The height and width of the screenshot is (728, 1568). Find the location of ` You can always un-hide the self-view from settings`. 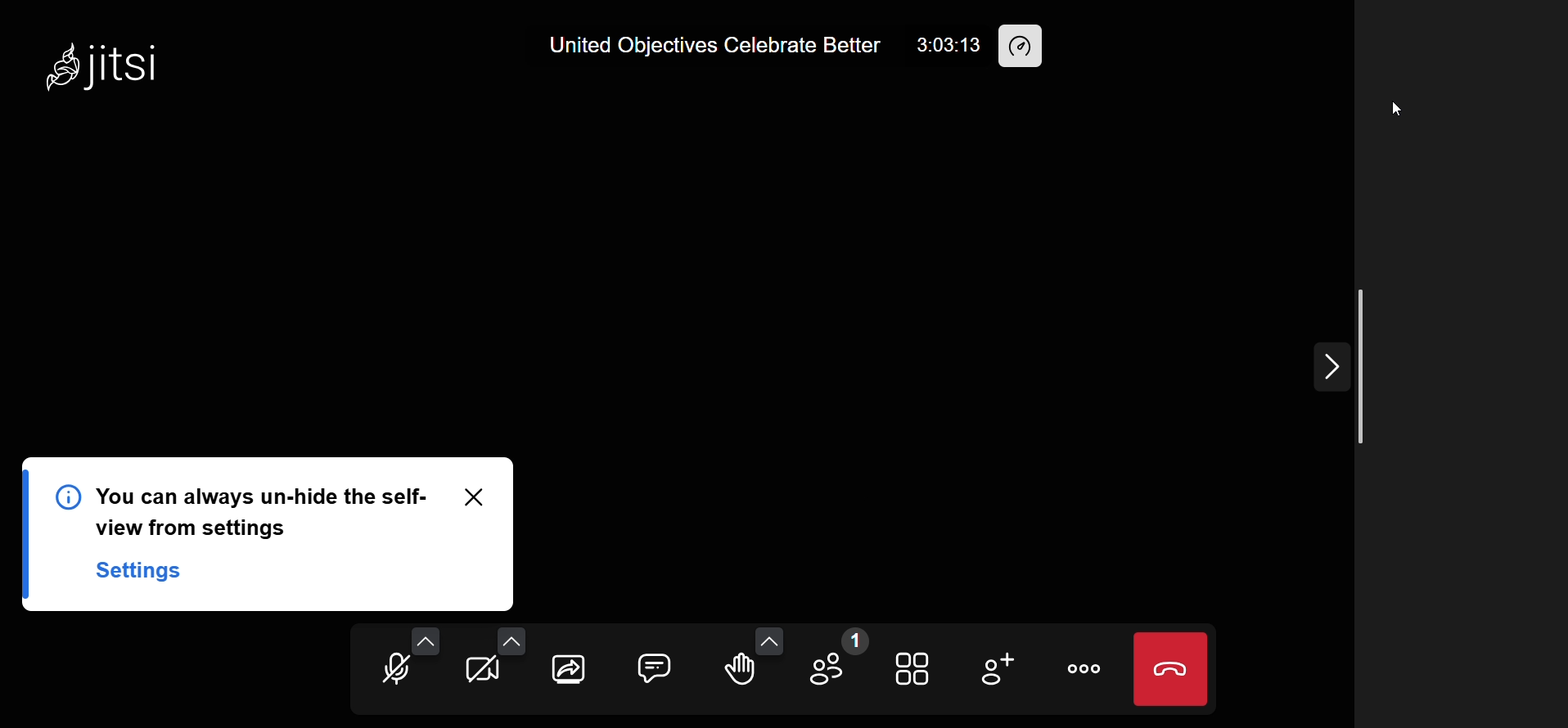

 You can always un-hide the self-view from settings is located at coordinates (242, 510).